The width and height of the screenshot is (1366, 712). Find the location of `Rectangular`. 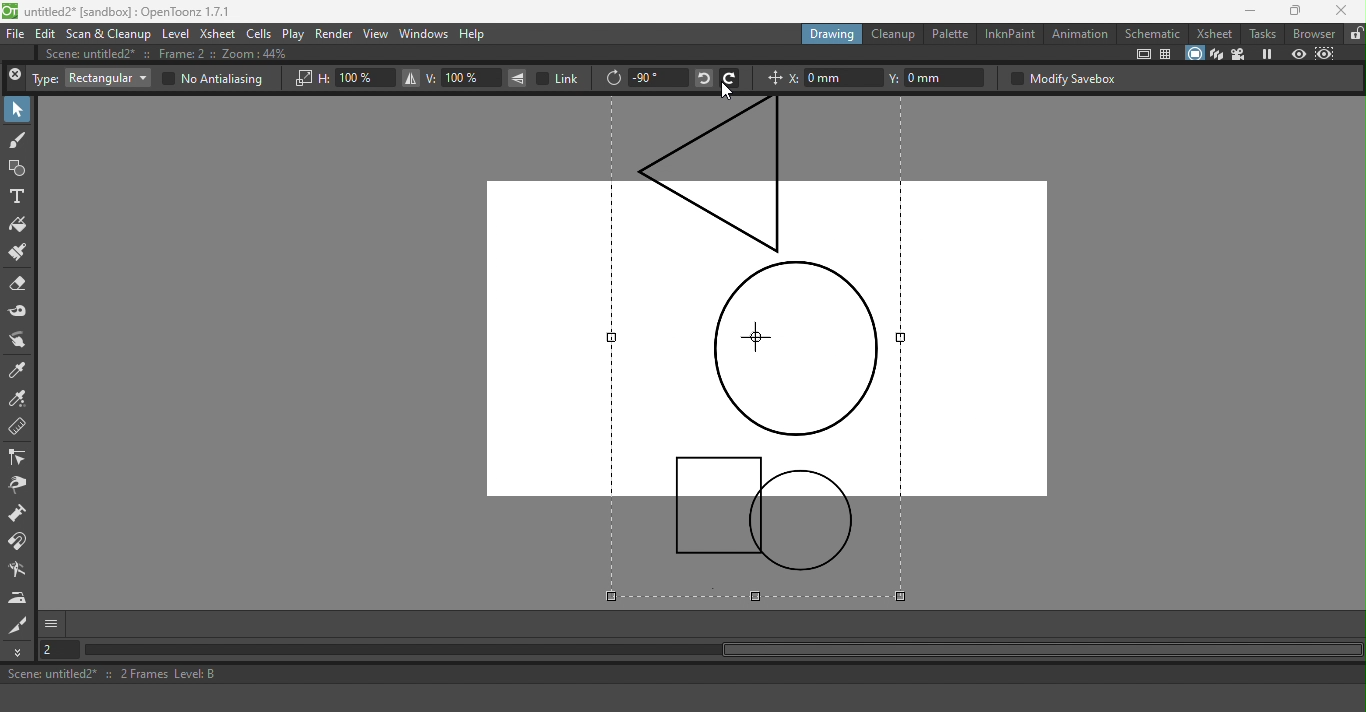

Rectangular is located at coordinates (107, 78).